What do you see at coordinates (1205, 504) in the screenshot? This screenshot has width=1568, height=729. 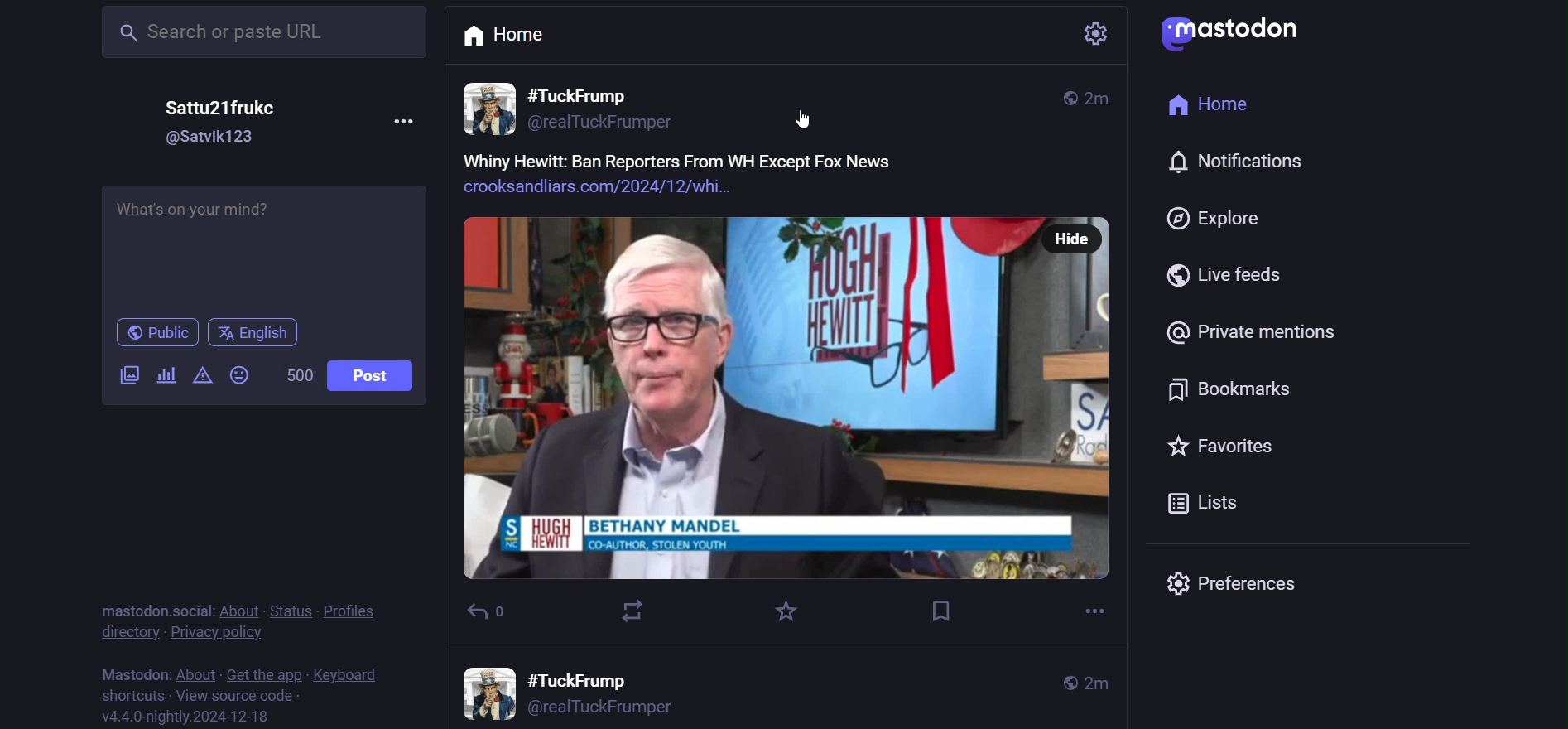 I see `list` at bounding box center [1205, 504].